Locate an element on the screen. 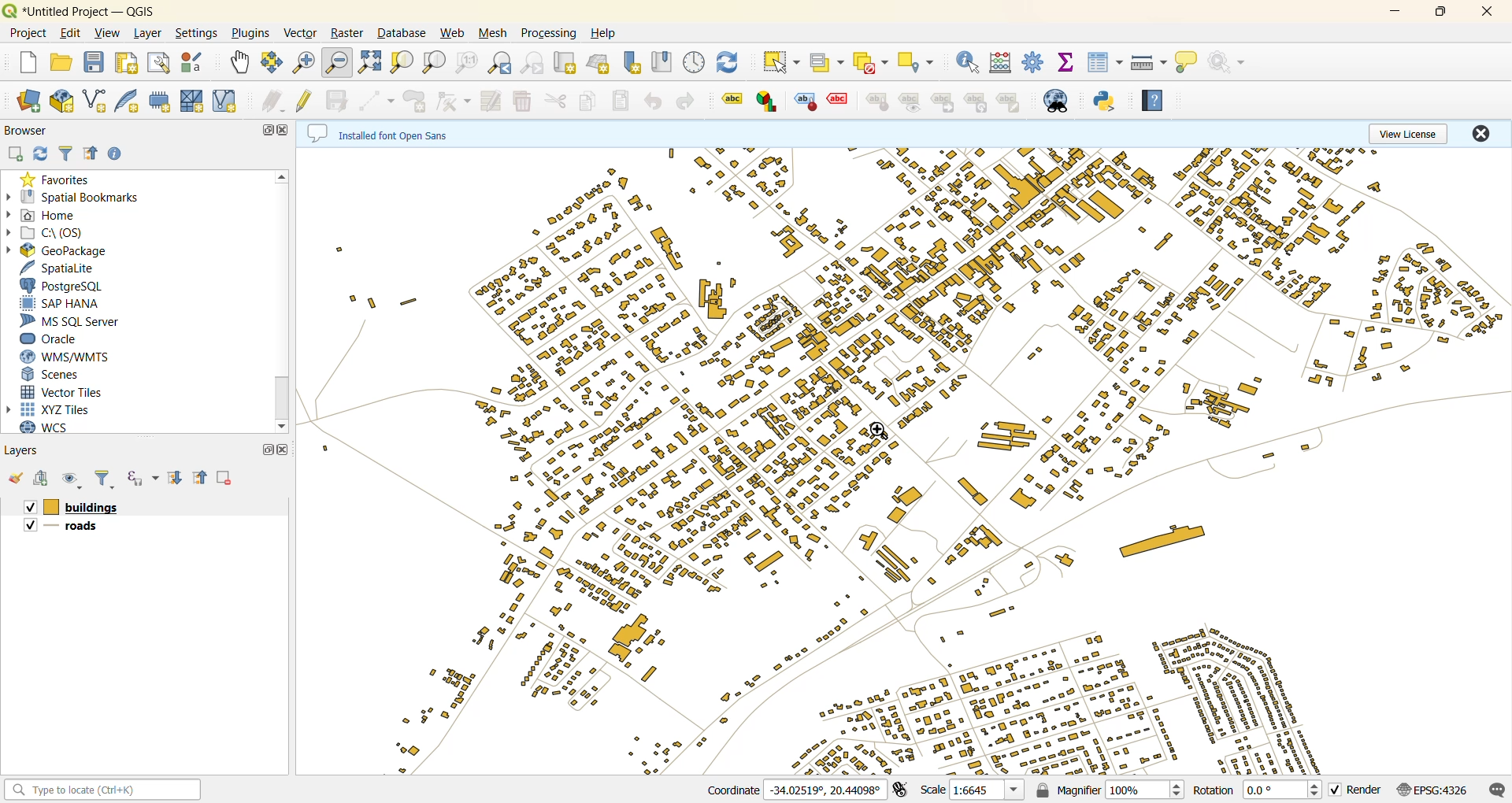  view license is located at coordinates (1417, 134).